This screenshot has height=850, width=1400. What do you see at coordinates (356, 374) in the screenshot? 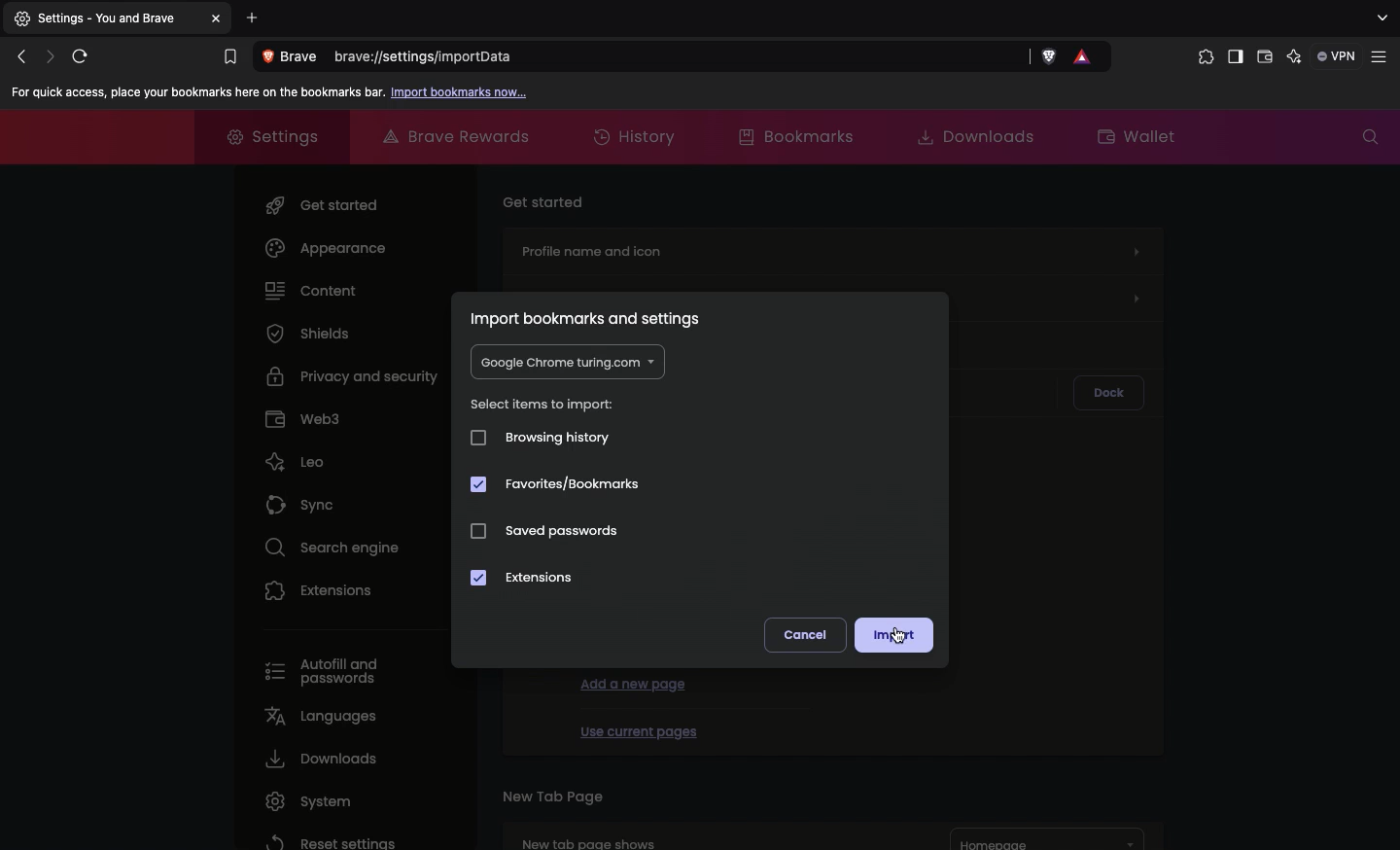
I see `Privacy and security` at bounding box center [356, 374].